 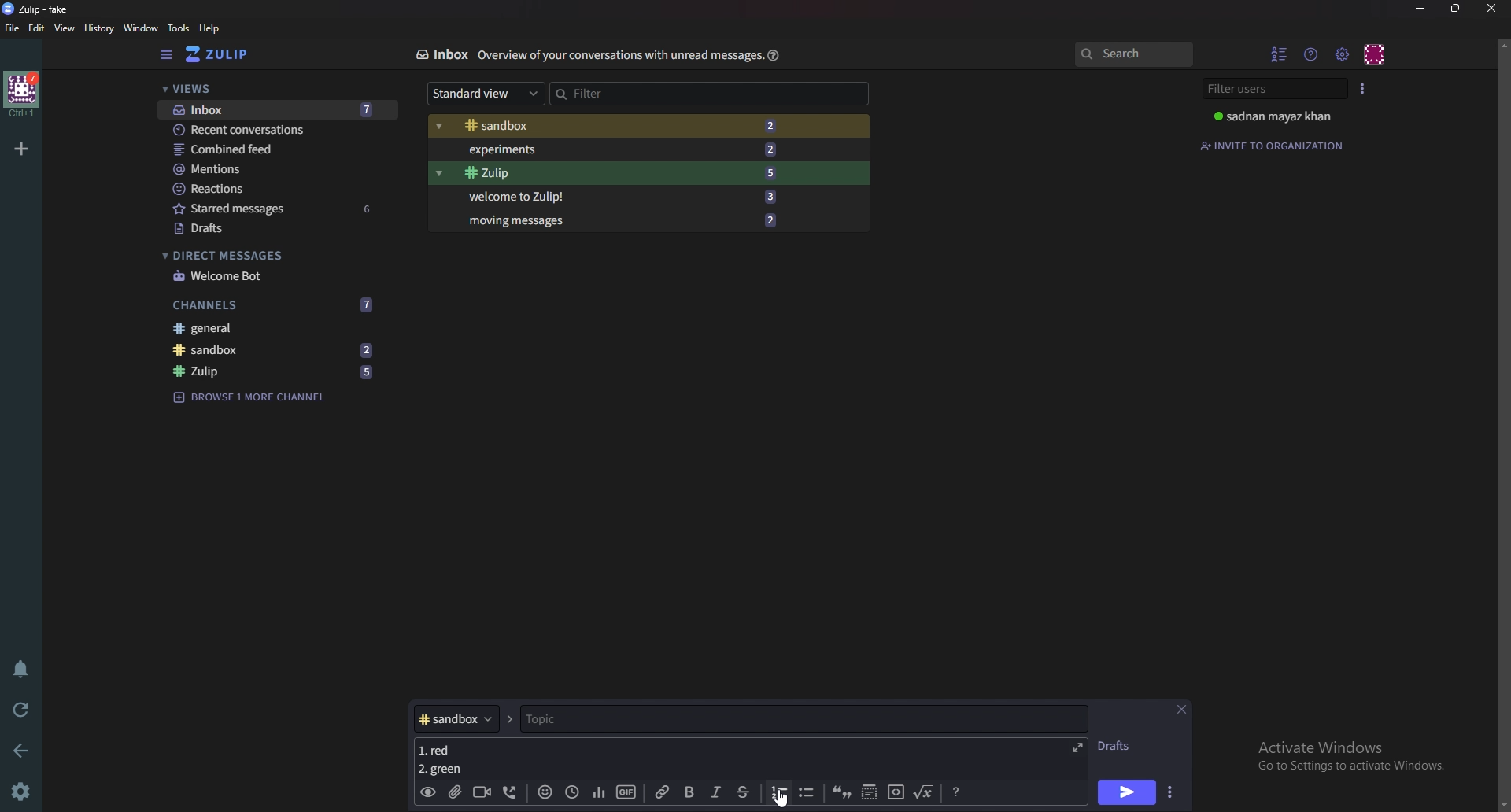 I want to click on scroll bar, so click(x=1503, y=423).